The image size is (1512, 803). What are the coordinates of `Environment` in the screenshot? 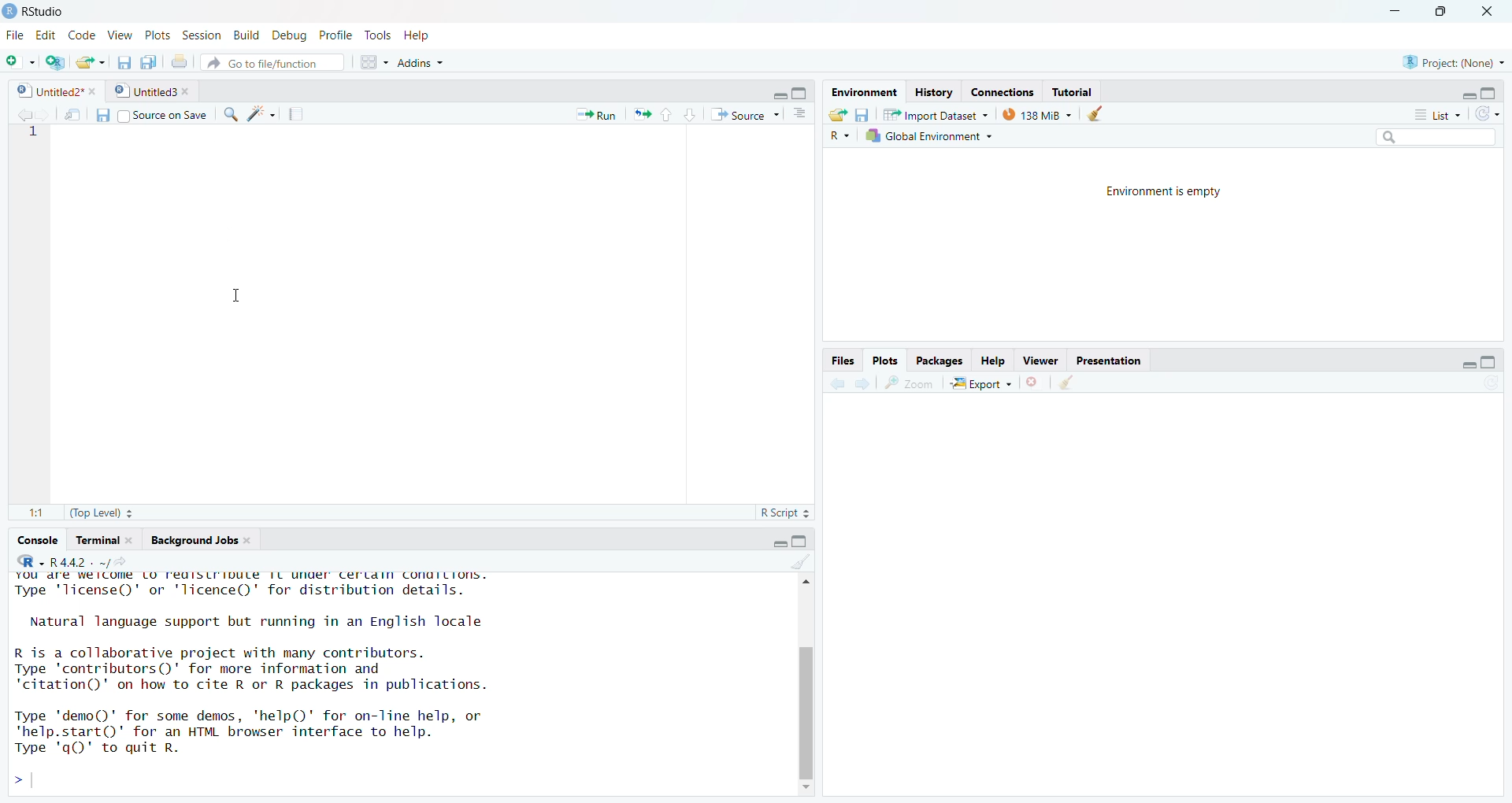 It's located at (864, 90).